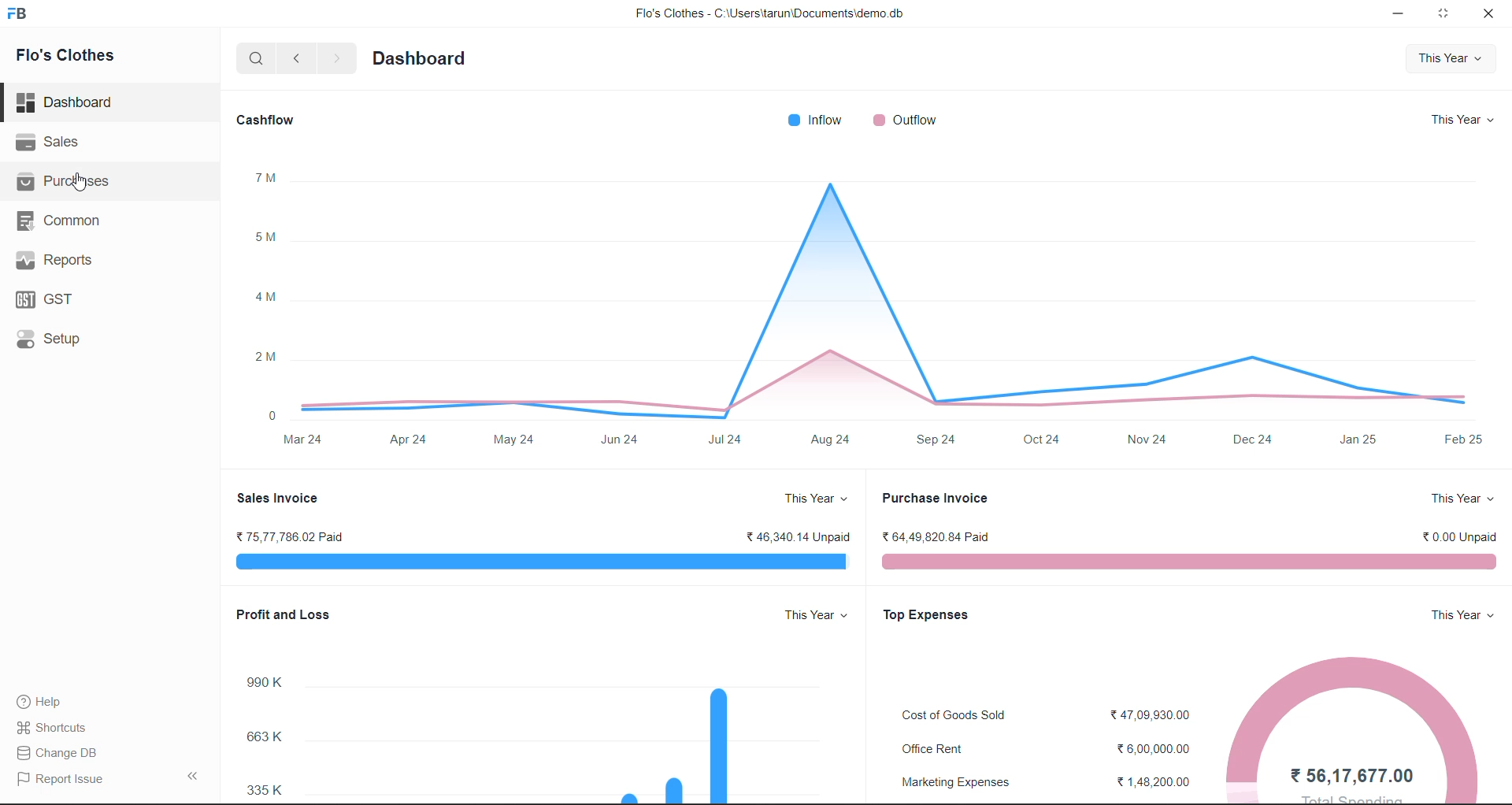  Describe the element at coordinates (270, 237) in the screenshot. I see `5M` at that location.